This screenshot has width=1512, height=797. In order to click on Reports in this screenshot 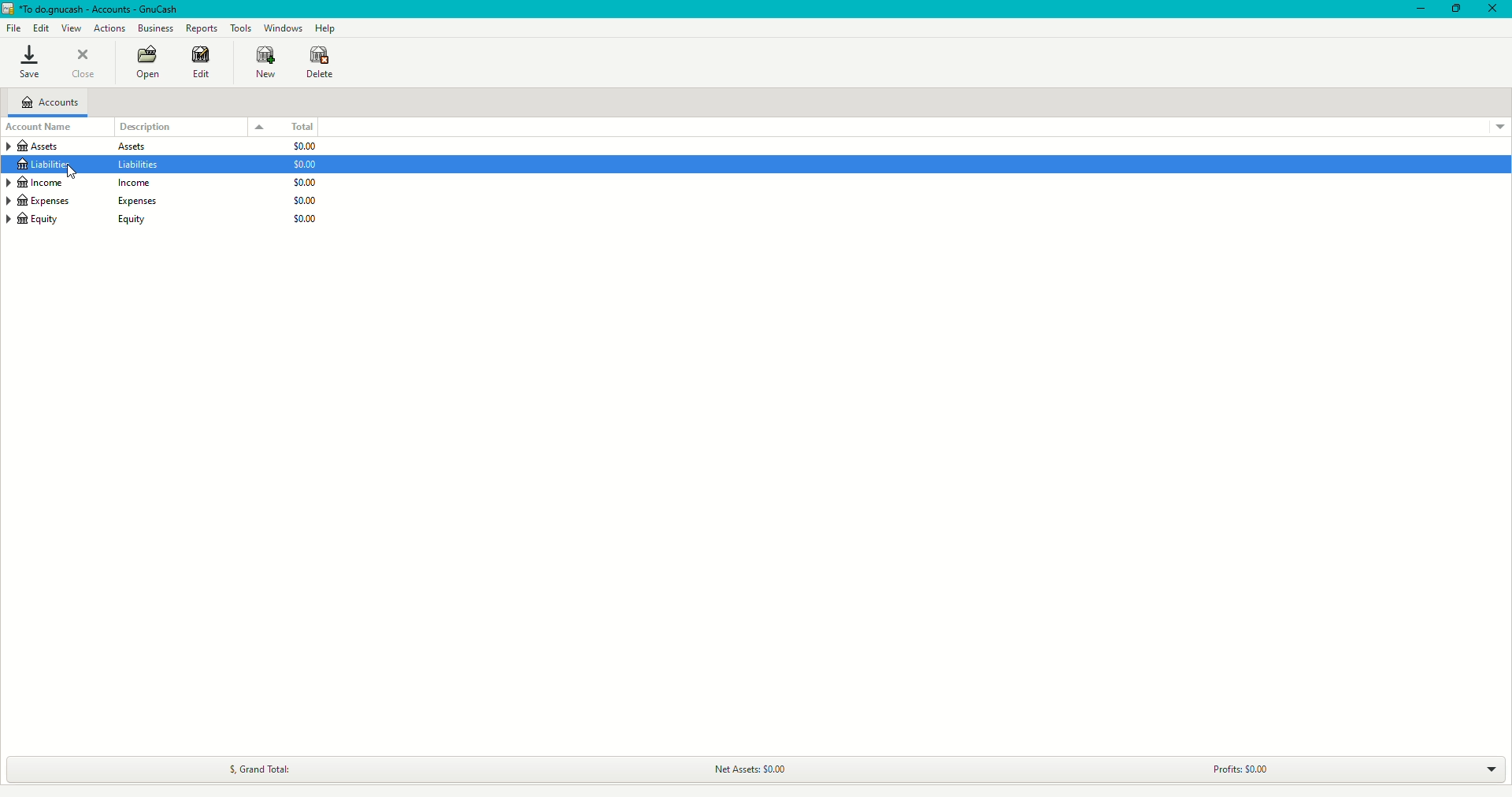, I will do `click(202, 28)`.